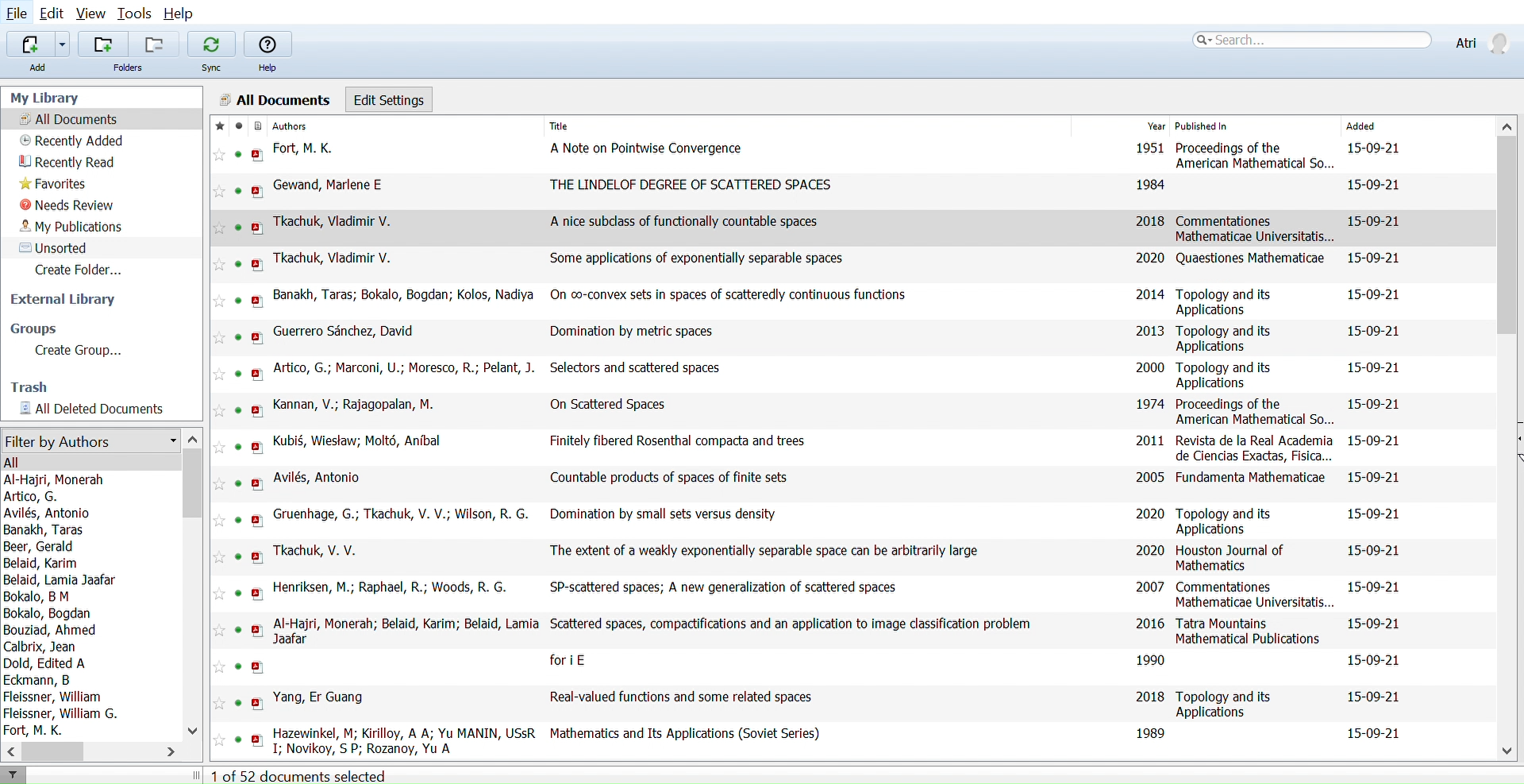 The image size is (1524, 784). Describe the element at coordinates (236, 126) in the screenshot. I see `mark as read/ unread` at that location.